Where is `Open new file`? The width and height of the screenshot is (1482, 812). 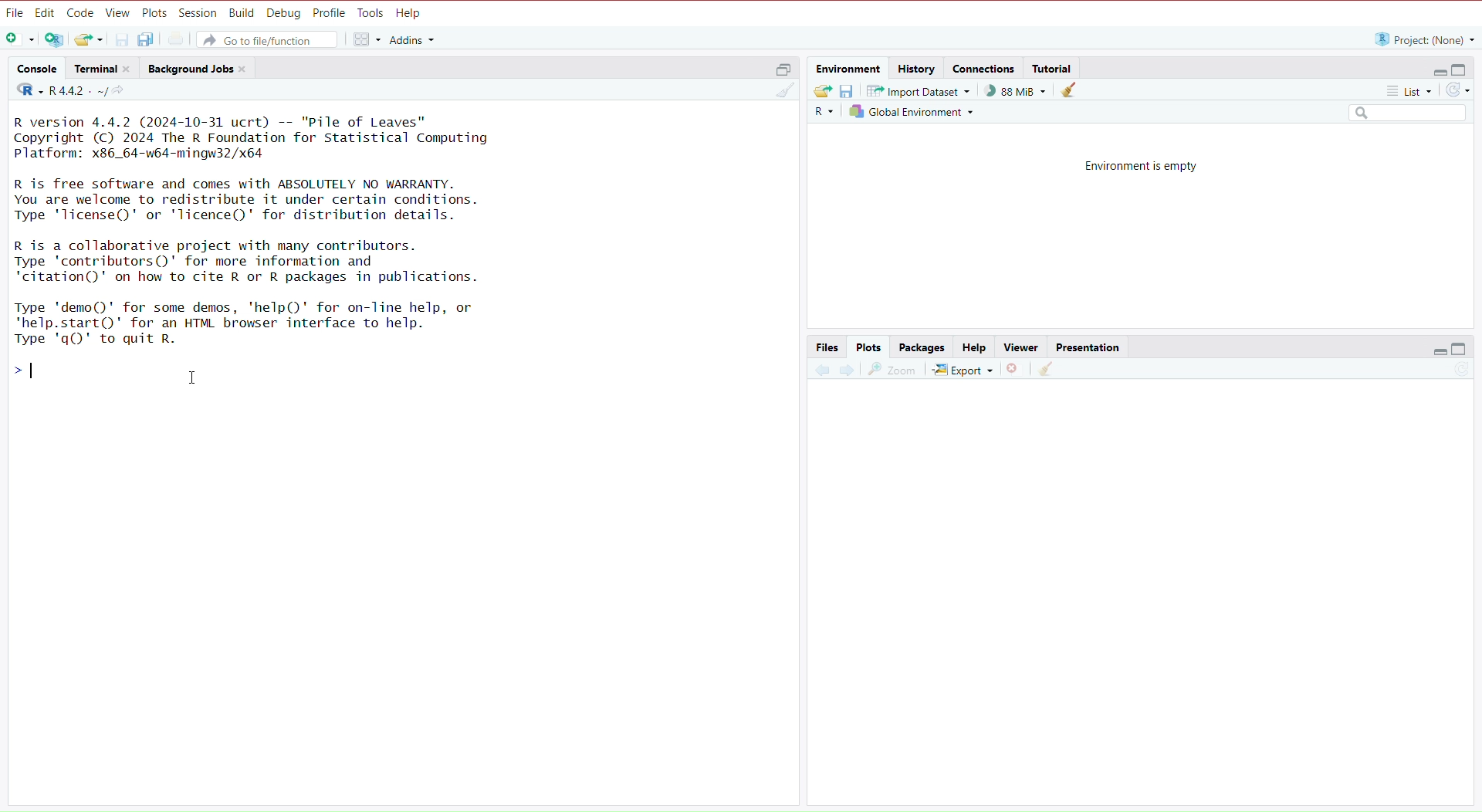
Open new file is located at coordinates (22, 40).